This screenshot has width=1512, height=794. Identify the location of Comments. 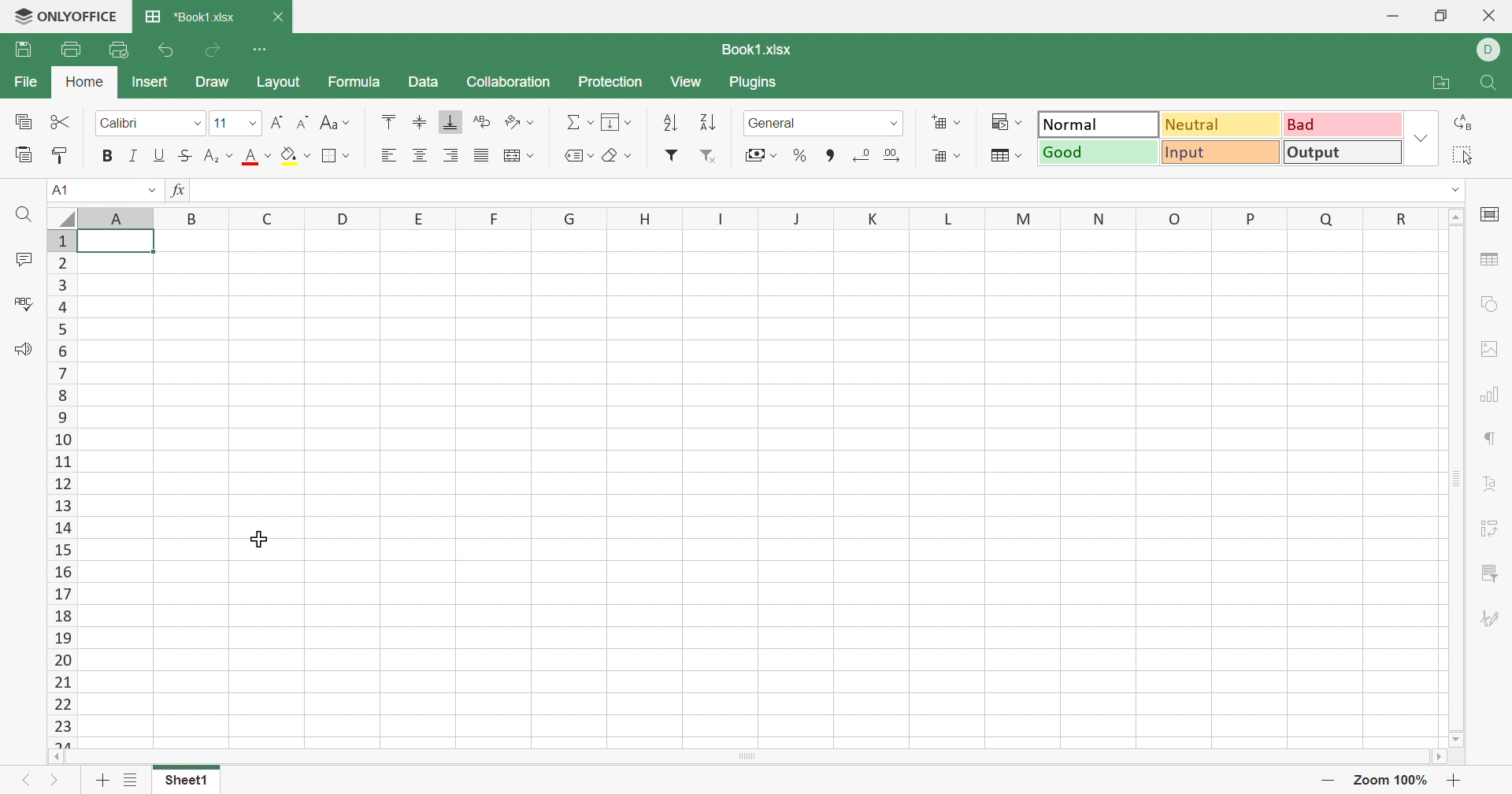
(24, 258).